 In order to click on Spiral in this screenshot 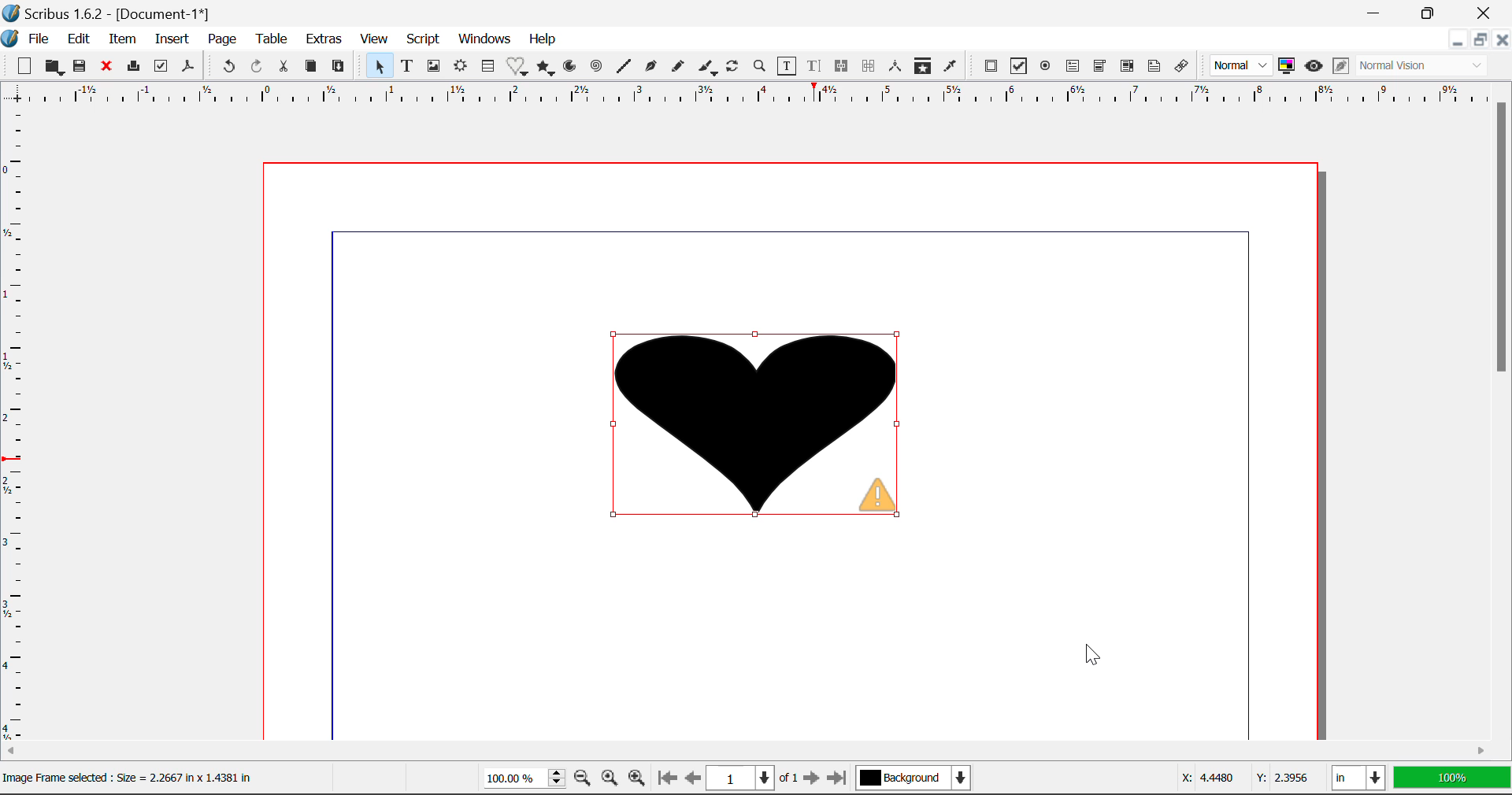, I will do `click(597, 67)`.